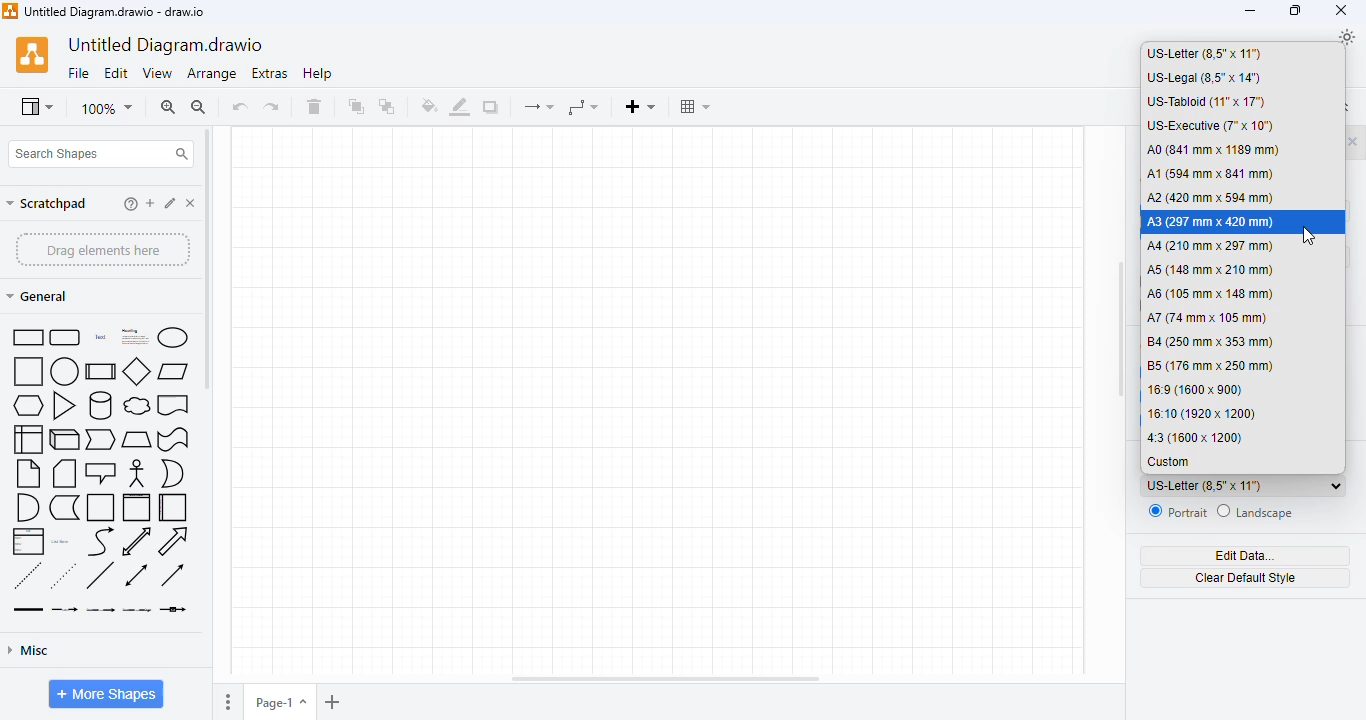 This screenshot has height=720, width=1366. I want to click on search shapes, so click(101, 154).